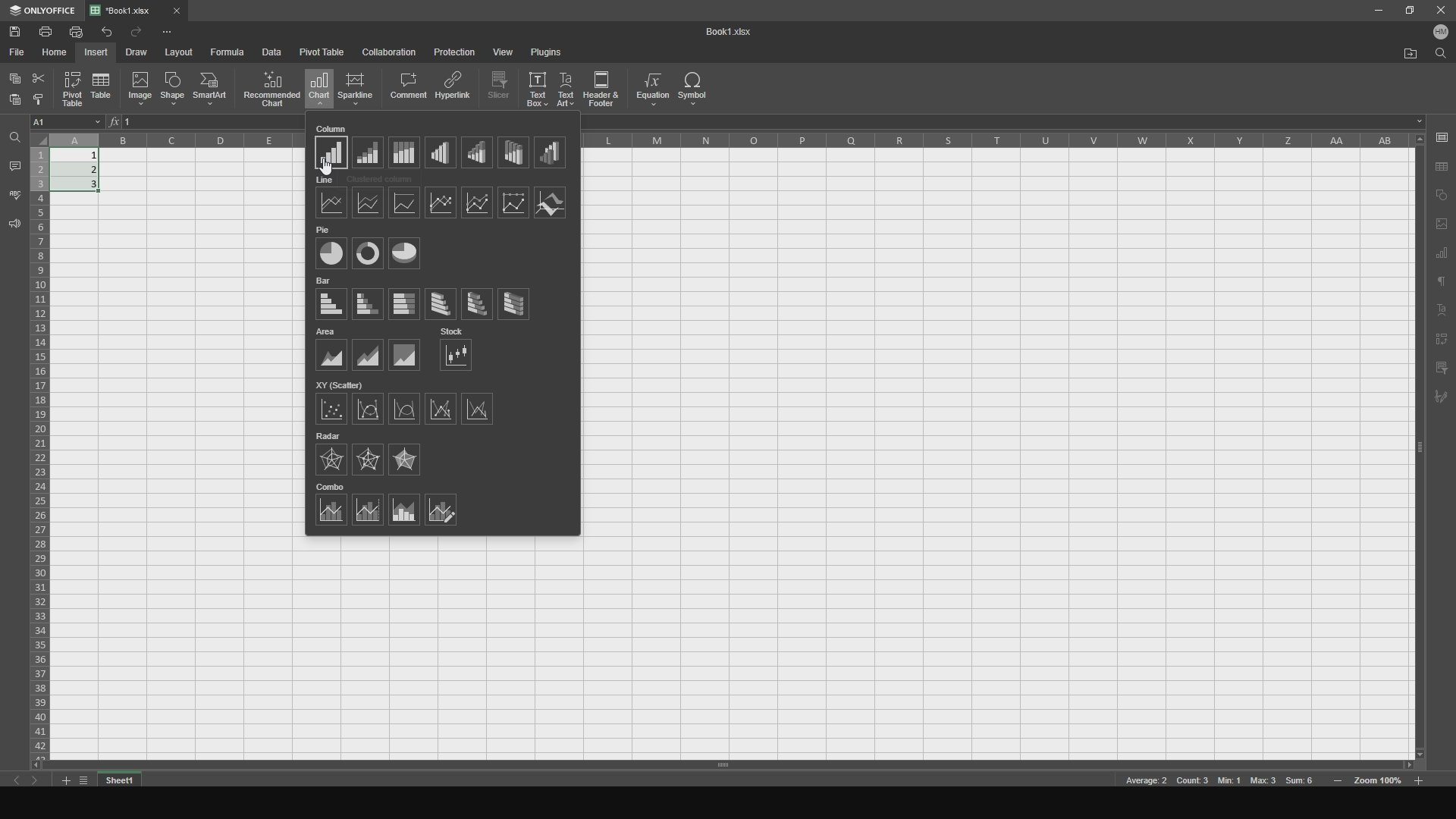 This screenshot has width=1456, height=819. What do you see at coordinates (406, 89) in the screenshot?
I see `comment` at bounding box center [406, 89].